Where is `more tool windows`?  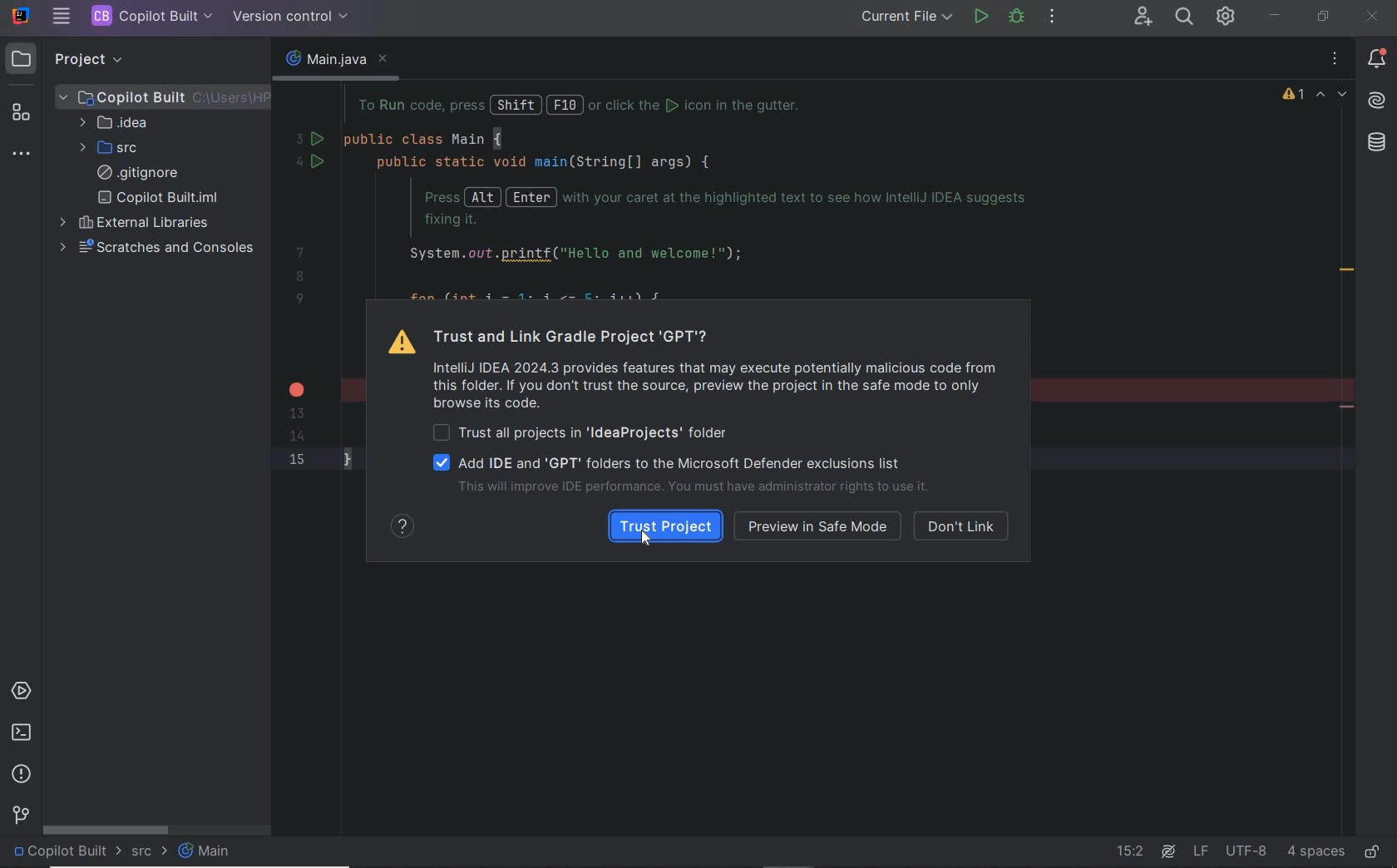
more tool windows is located at coordinates (23, 155).